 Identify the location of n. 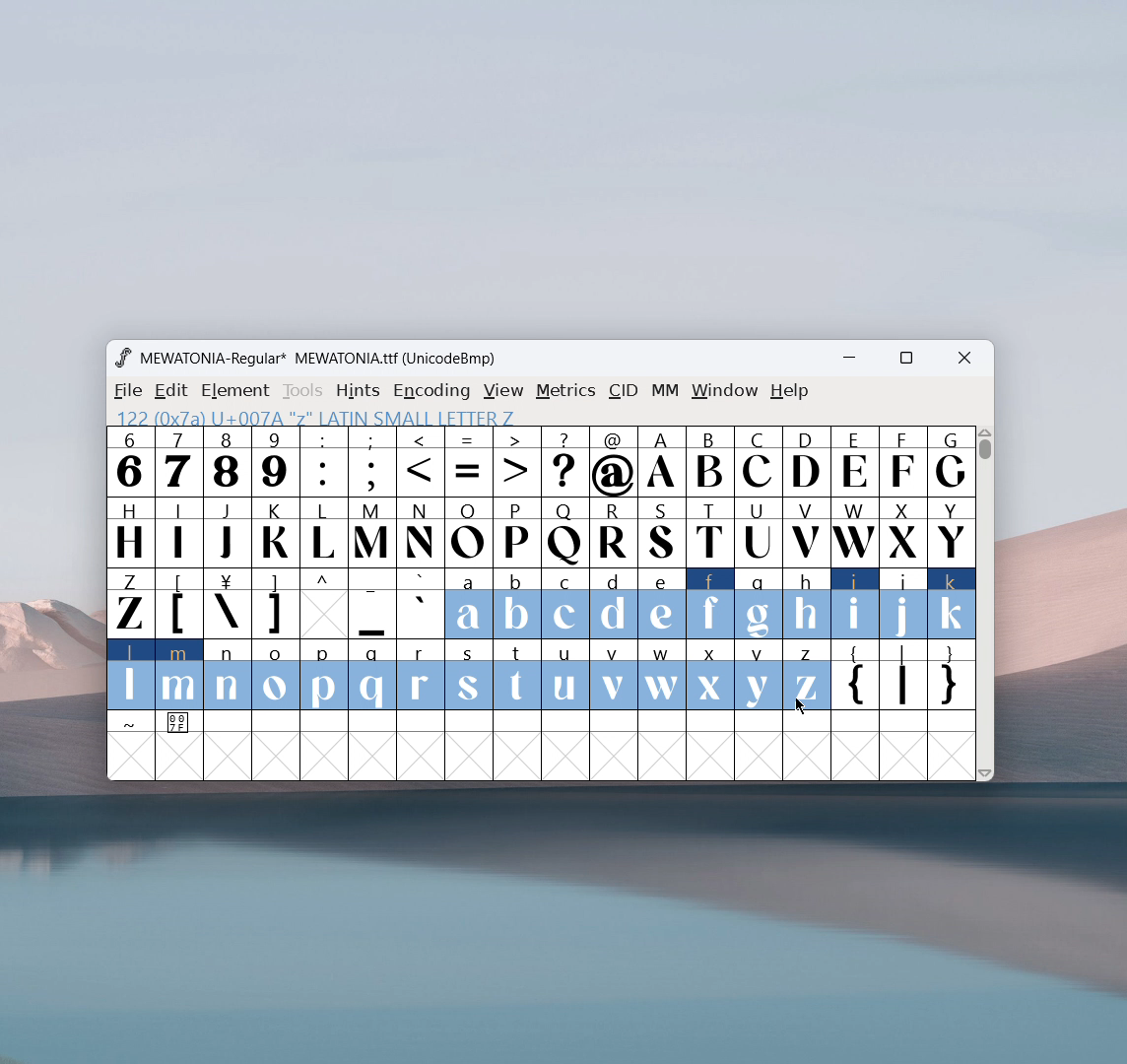
(228, 677).